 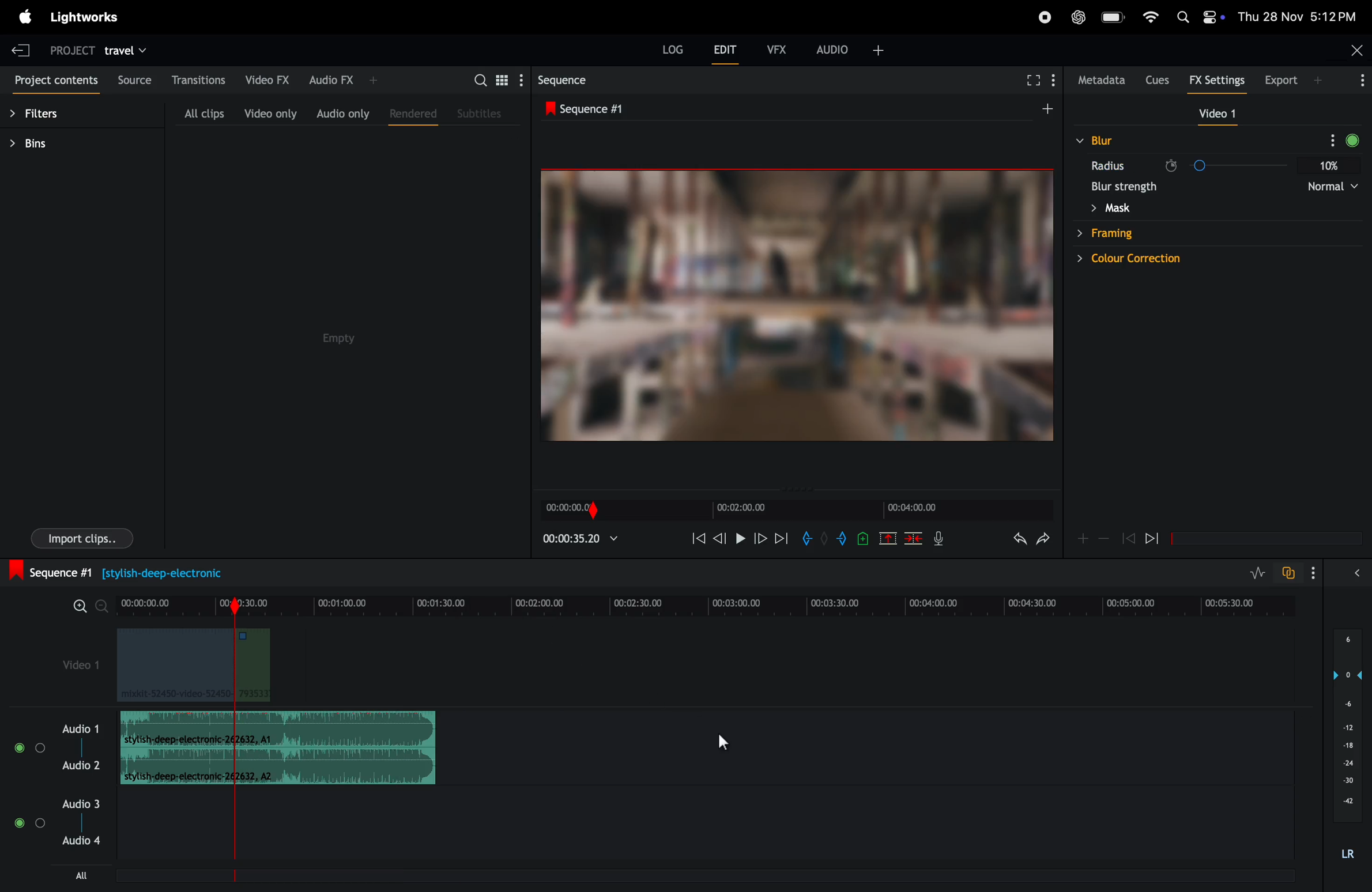 I want to click on apple menu, so click(x=24, y=16).